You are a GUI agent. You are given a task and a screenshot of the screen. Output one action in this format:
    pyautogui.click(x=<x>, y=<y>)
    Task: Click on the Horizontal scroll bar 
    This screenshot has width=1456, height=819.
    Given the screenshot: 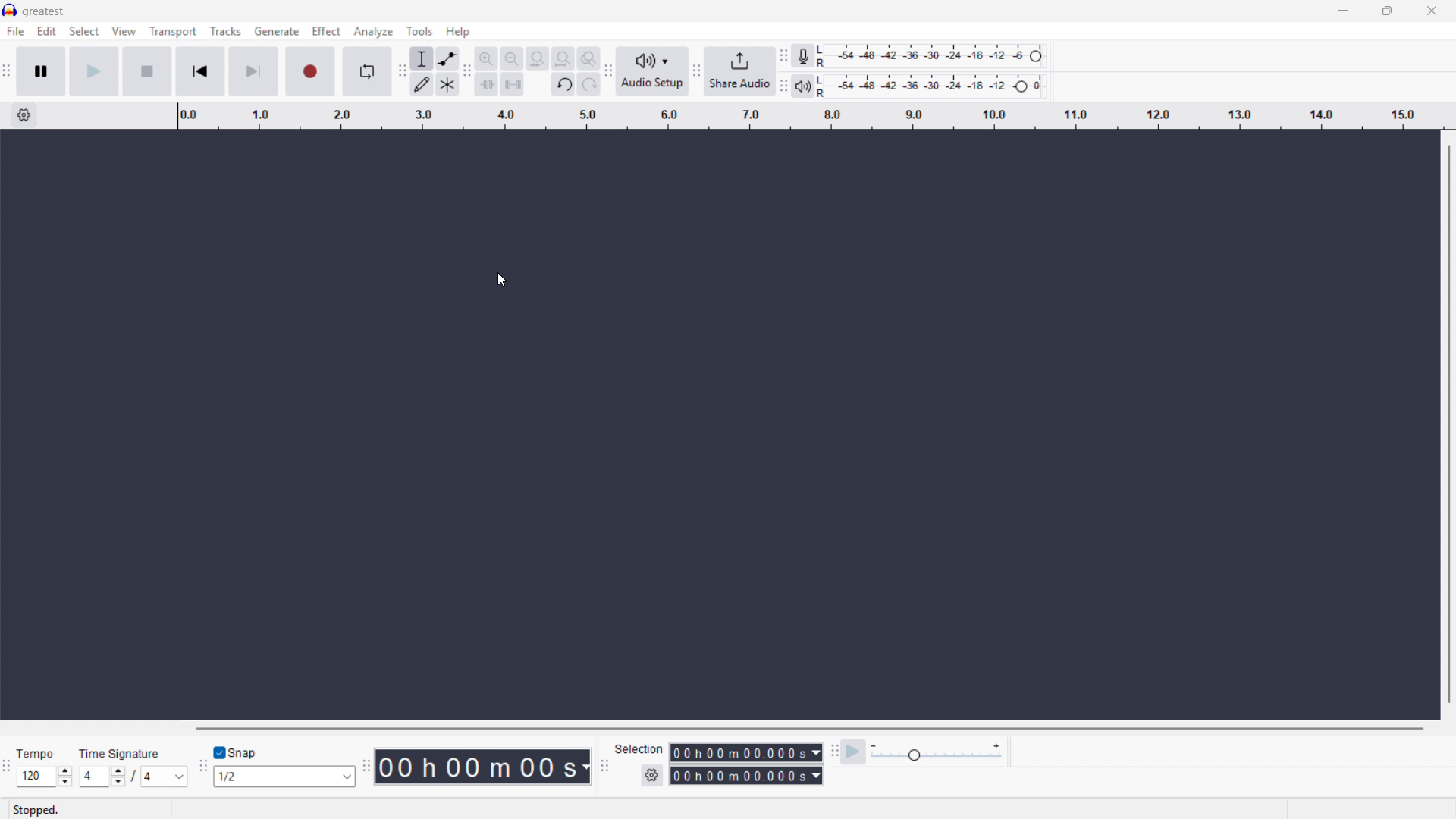 What is the action you would take?
    pyautogui.click(x=806, y=728)
    